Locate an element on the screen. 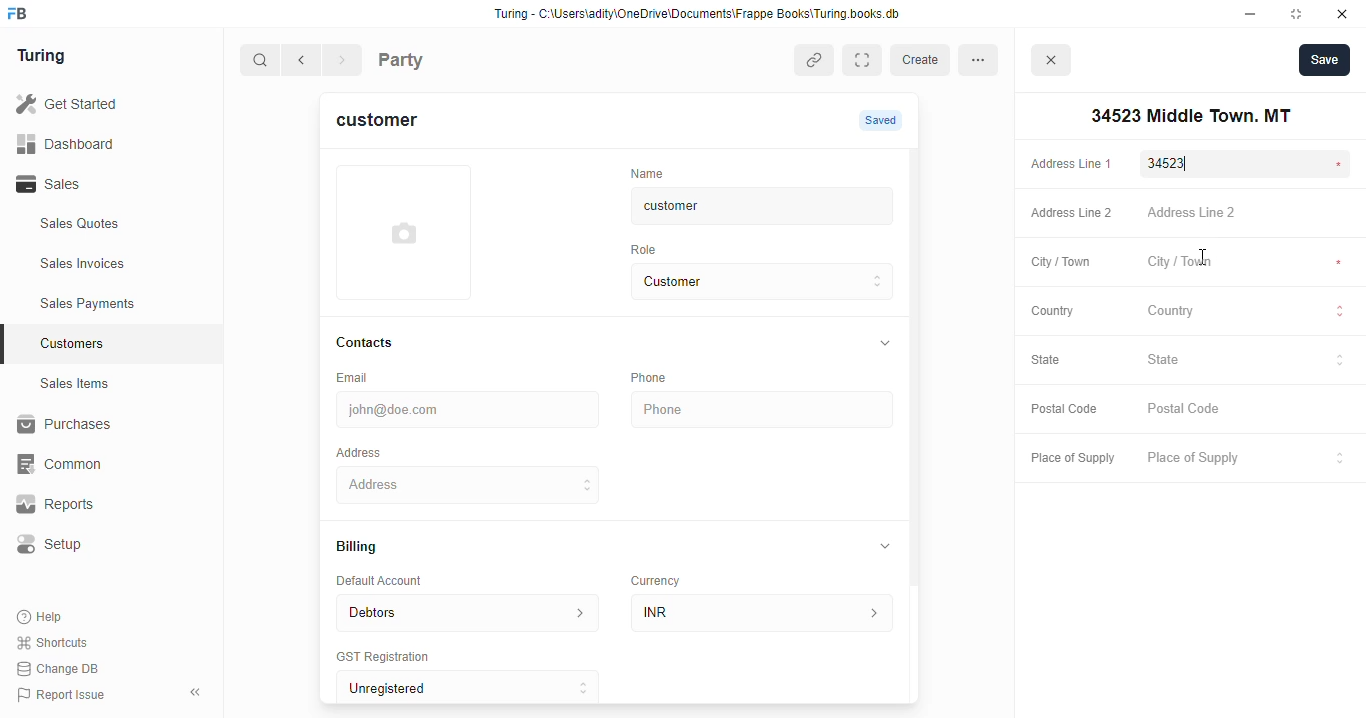 The width and height of the screenshot is (1366, 718). john@doe.com is located at coordinates (471, 407).